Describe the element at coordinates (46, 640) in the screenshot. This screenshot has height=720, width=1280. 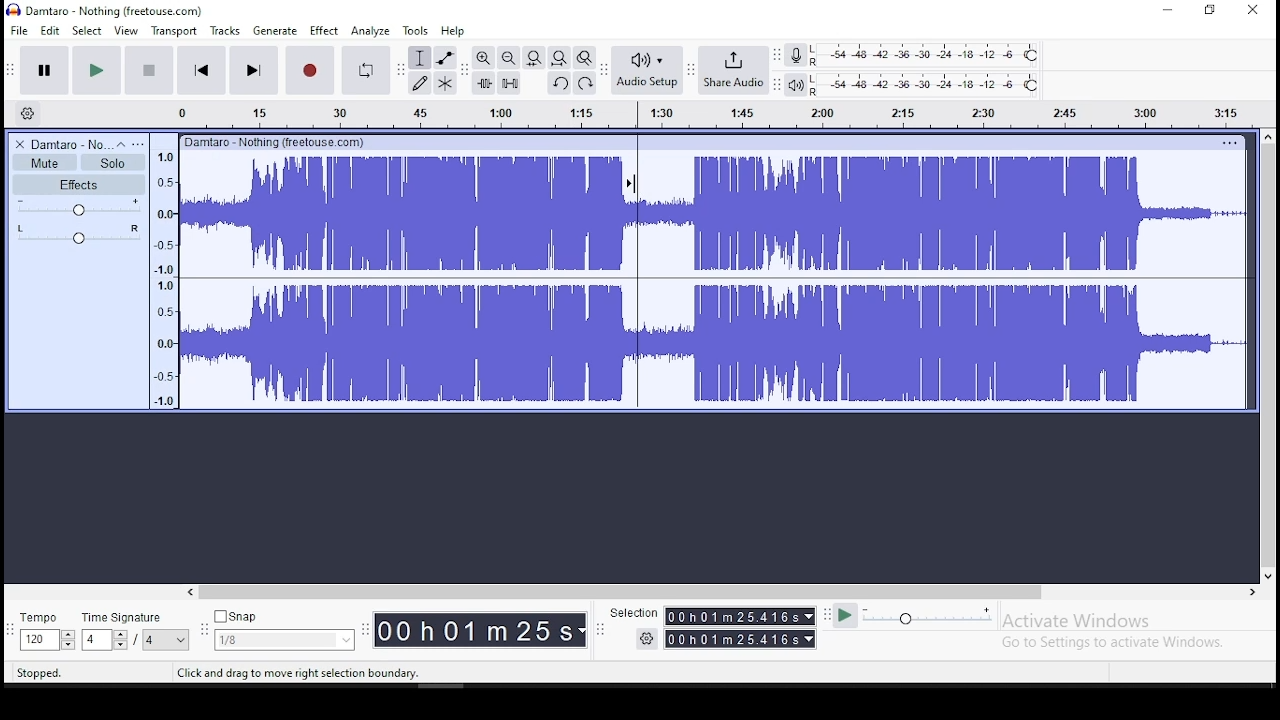
I see `toggle buttons` at that location.